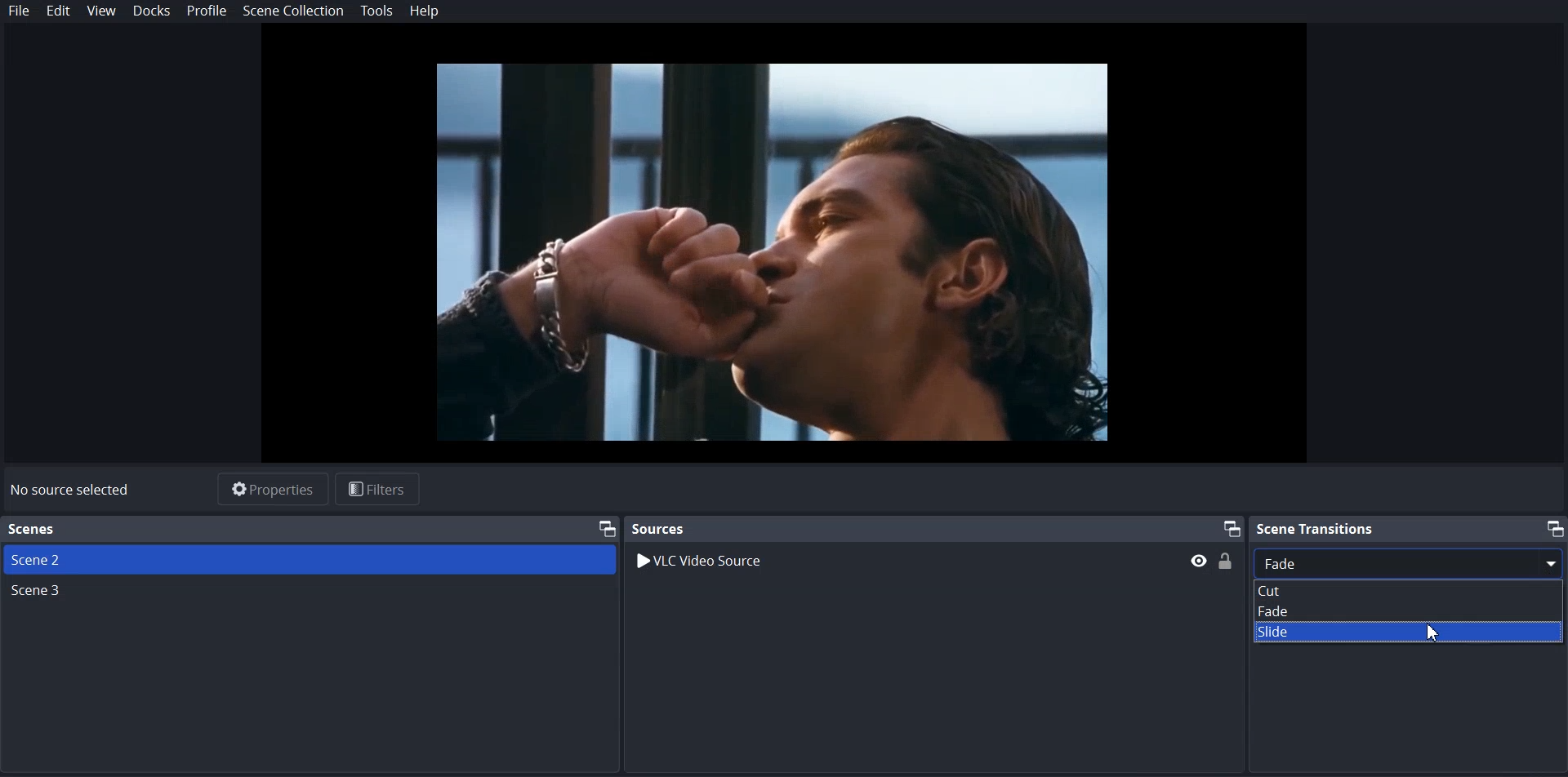 This screenshot has width=1568, height=777. I want to click on Scene, so click(40, 591).